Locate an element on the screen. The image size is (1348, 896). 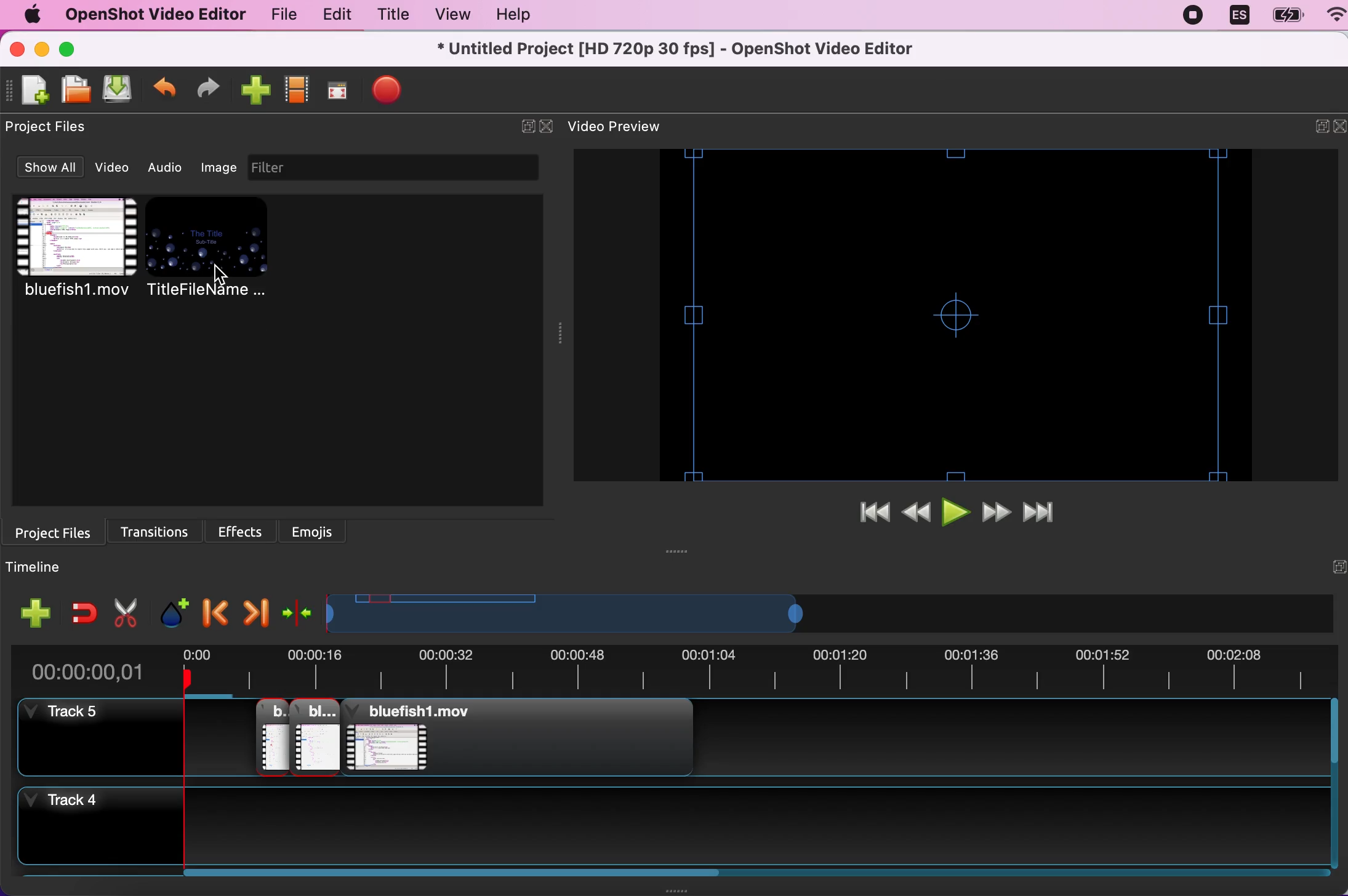
track 4 is located at coordinates (772, 833).